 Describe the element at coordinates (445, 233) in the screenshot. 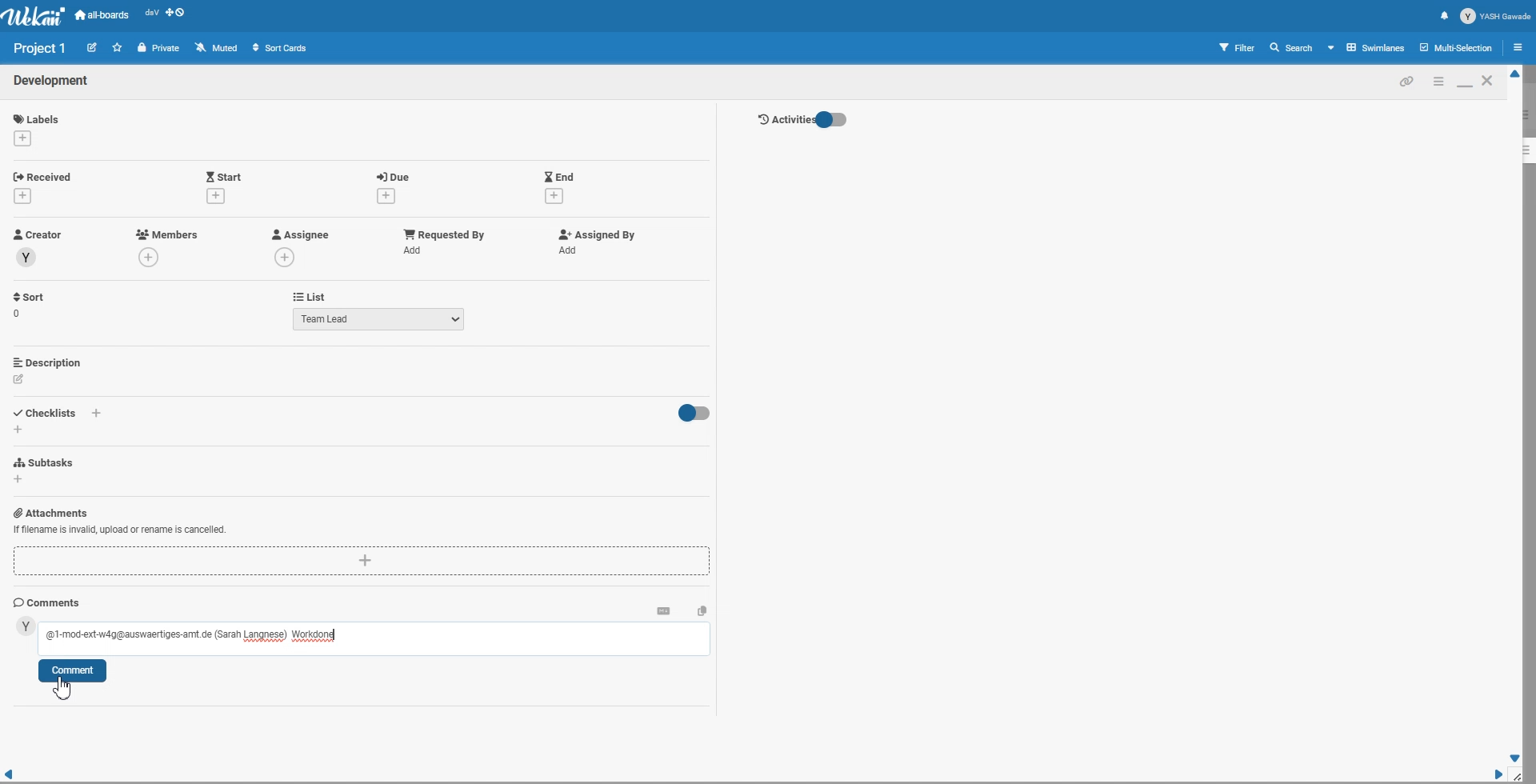

I see `Add Requested by` at that location.